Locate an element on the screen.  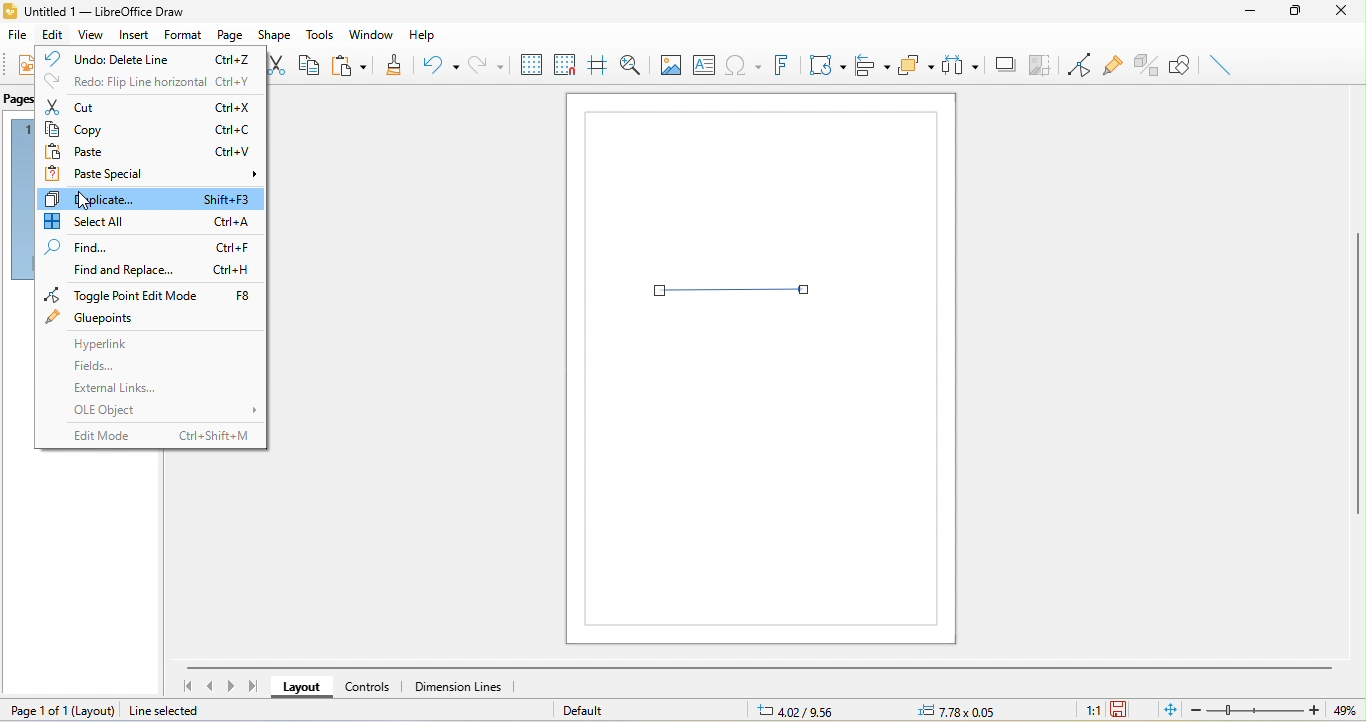
zoom and pan is located at coordinates (628, 63).